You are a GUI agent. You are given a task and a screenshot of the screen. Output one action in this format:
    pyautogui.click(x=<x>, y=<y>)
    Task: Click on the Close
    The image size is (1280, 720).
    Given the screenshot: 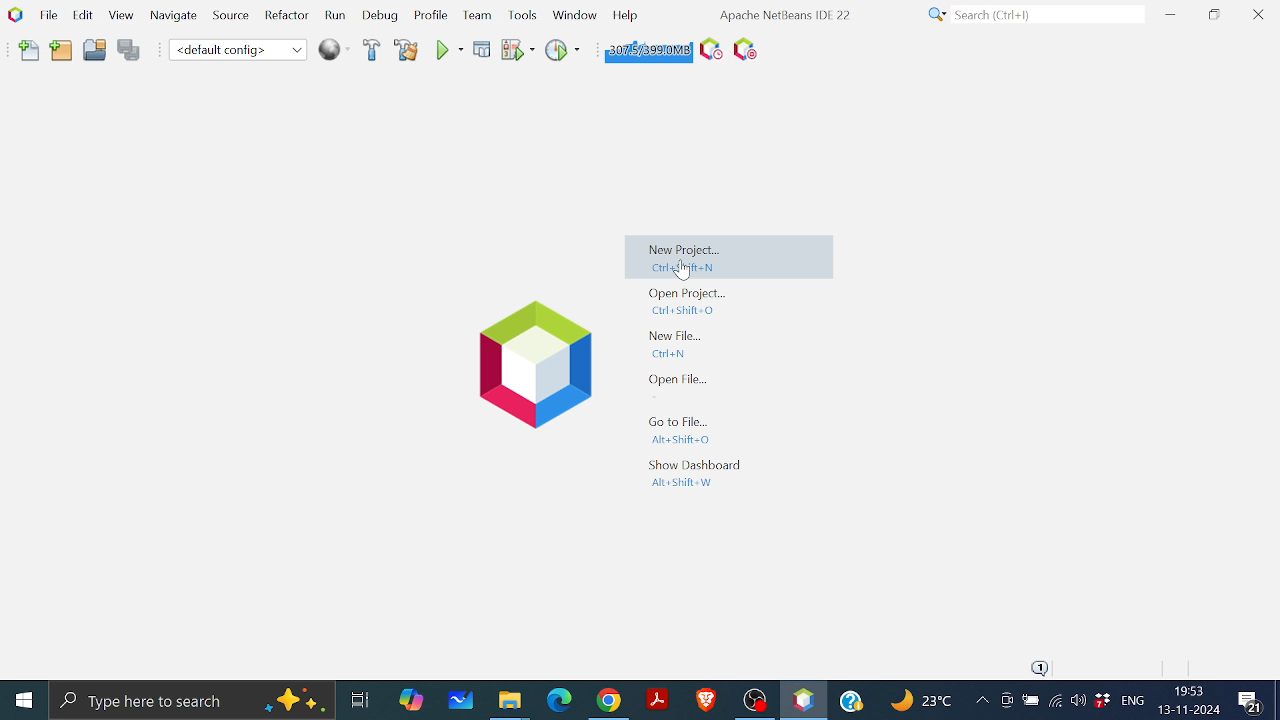 What is the action you would take?
    pyautogui.click(x=1258, y=15)
    